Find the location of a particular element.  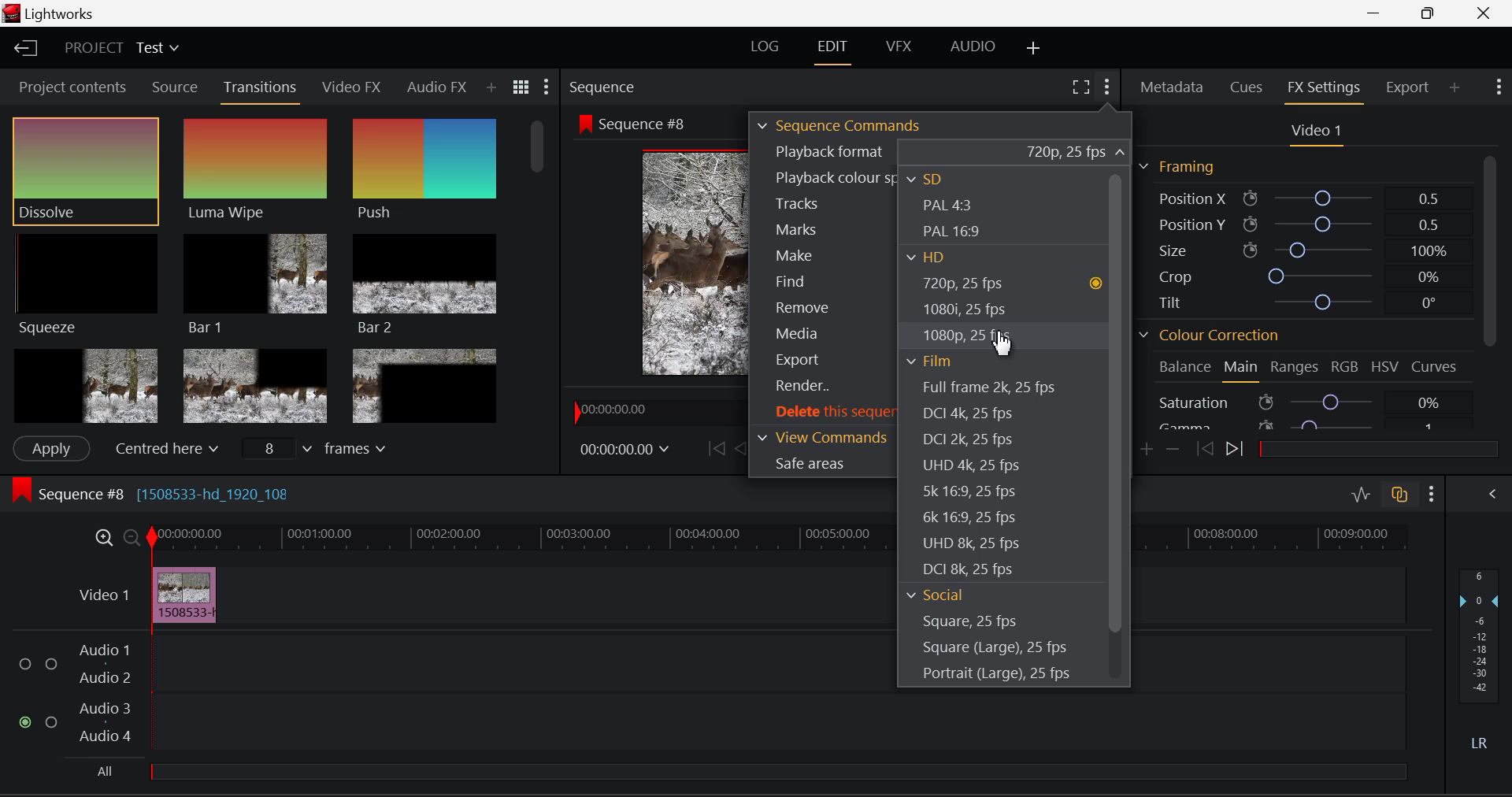

Project Timeline Navigator is located at coordinates (653, 410).